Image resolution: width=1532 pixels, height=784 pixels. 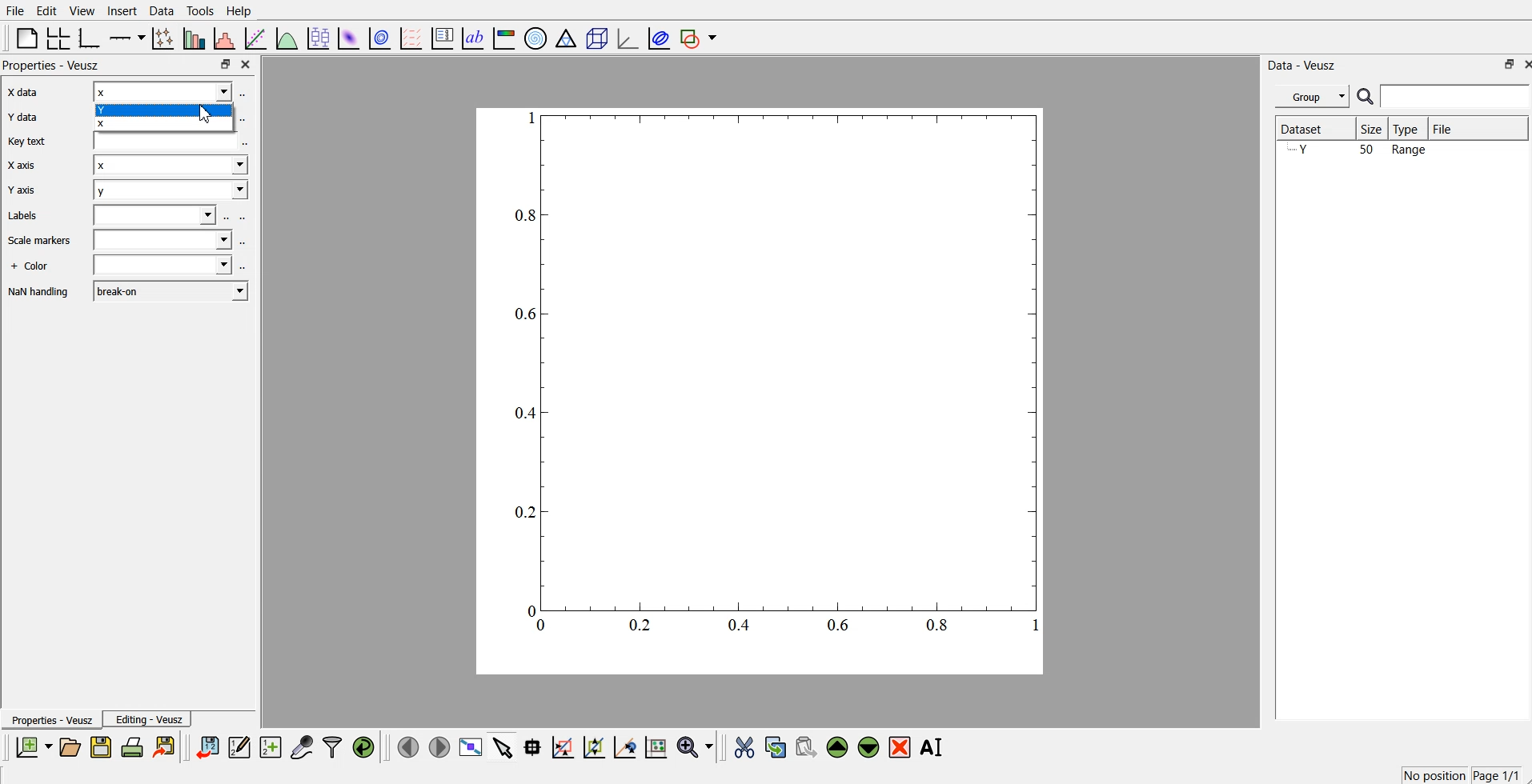 I want to click on plot key, so click(x=442, y=37).